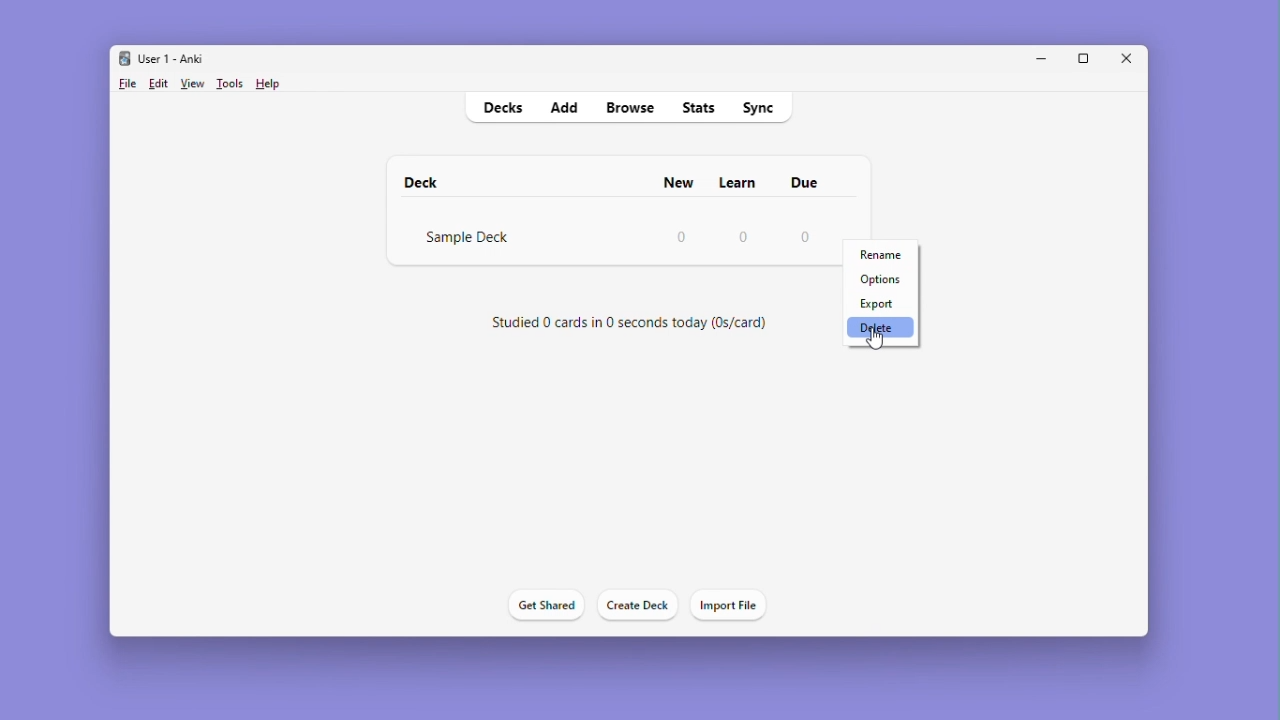 This screenshot has width=1280, height=720. What do you see at coordinates (1132, 58) in the screenshot?
I see `Close` at bounding box center [1132, 58].